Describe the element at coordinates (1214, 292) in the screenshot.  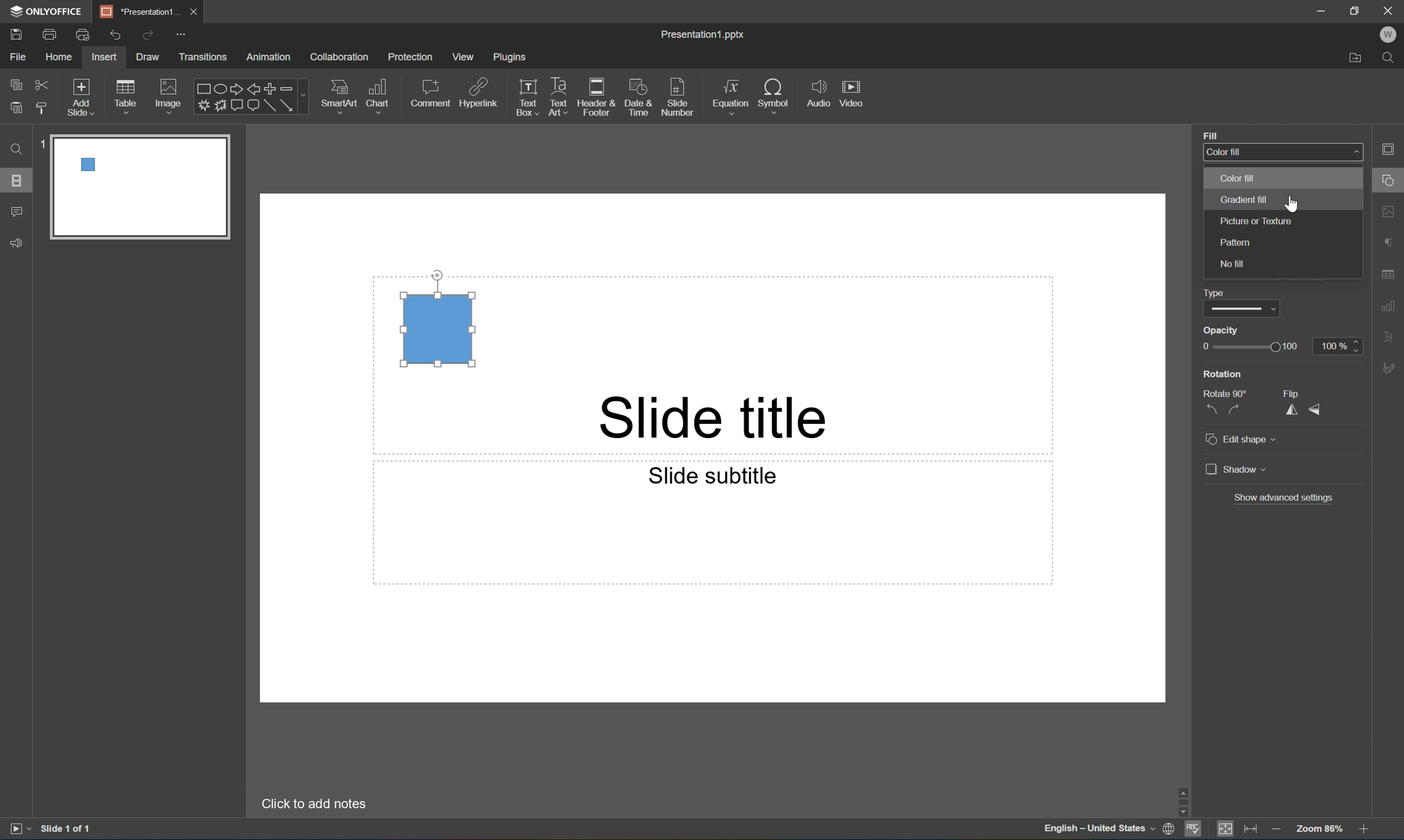
I see `Type` at that location.